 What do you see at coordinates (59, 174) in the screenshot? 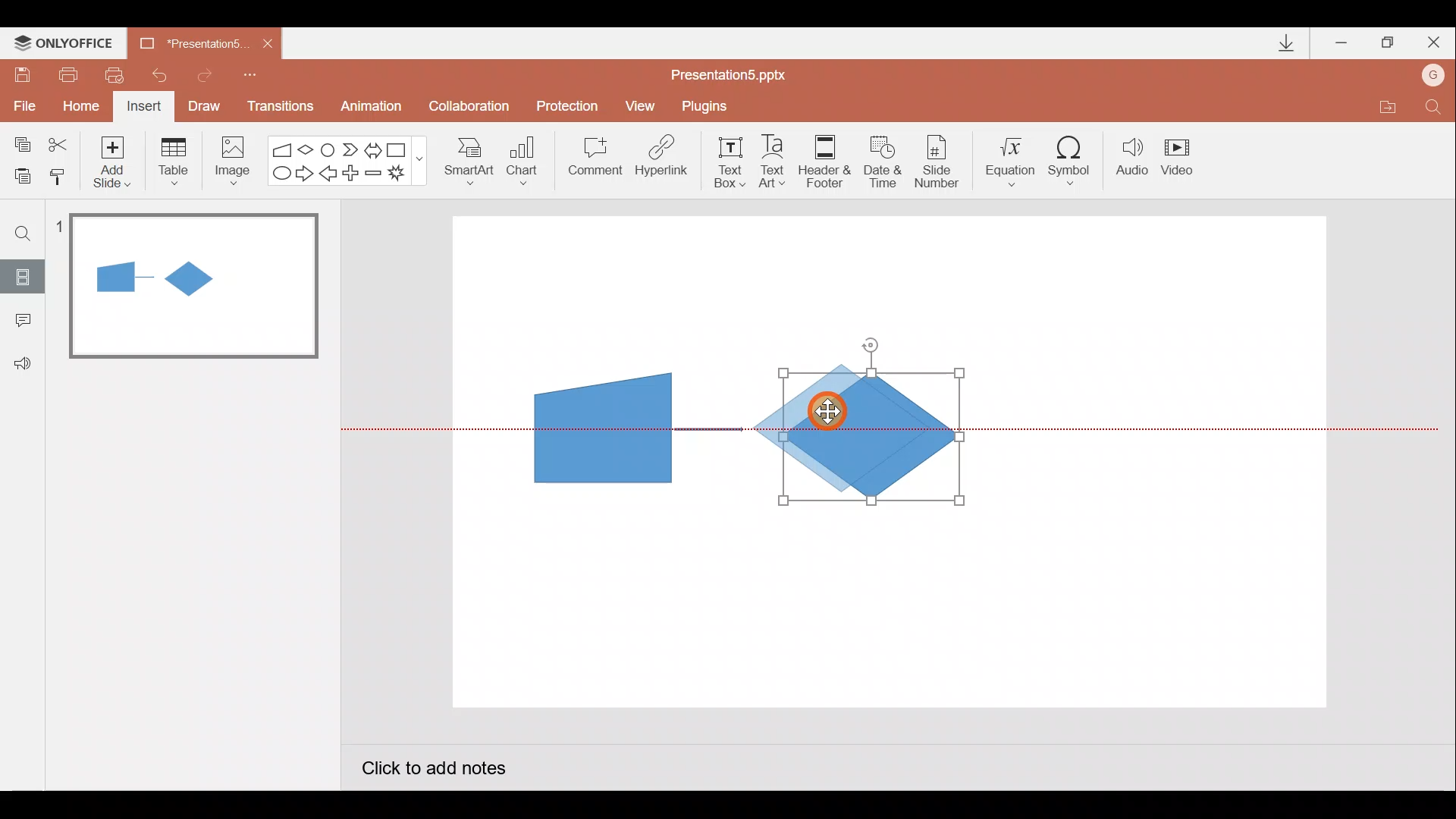
I see `Copy style` at bounding box center [59, 174].